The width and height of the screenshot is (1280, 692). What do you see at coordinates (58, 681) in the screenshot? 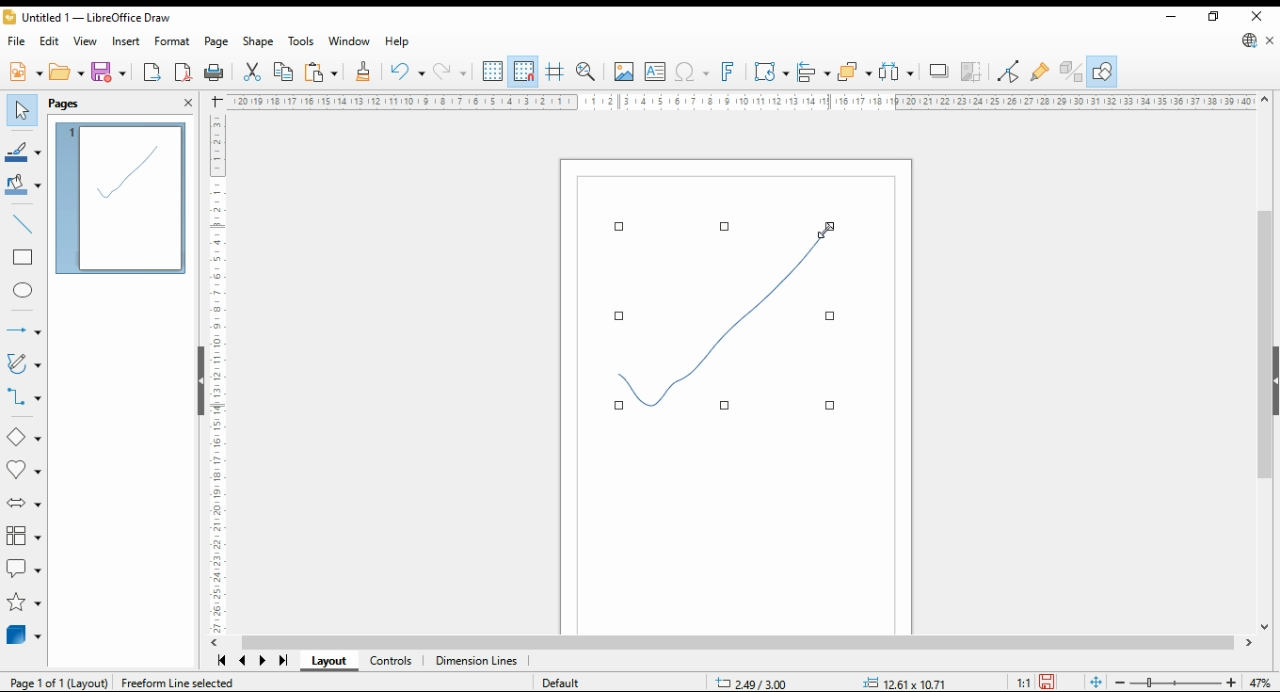
I see `pagw 1 of 1 (layout)` at bounding box center [58, 681].